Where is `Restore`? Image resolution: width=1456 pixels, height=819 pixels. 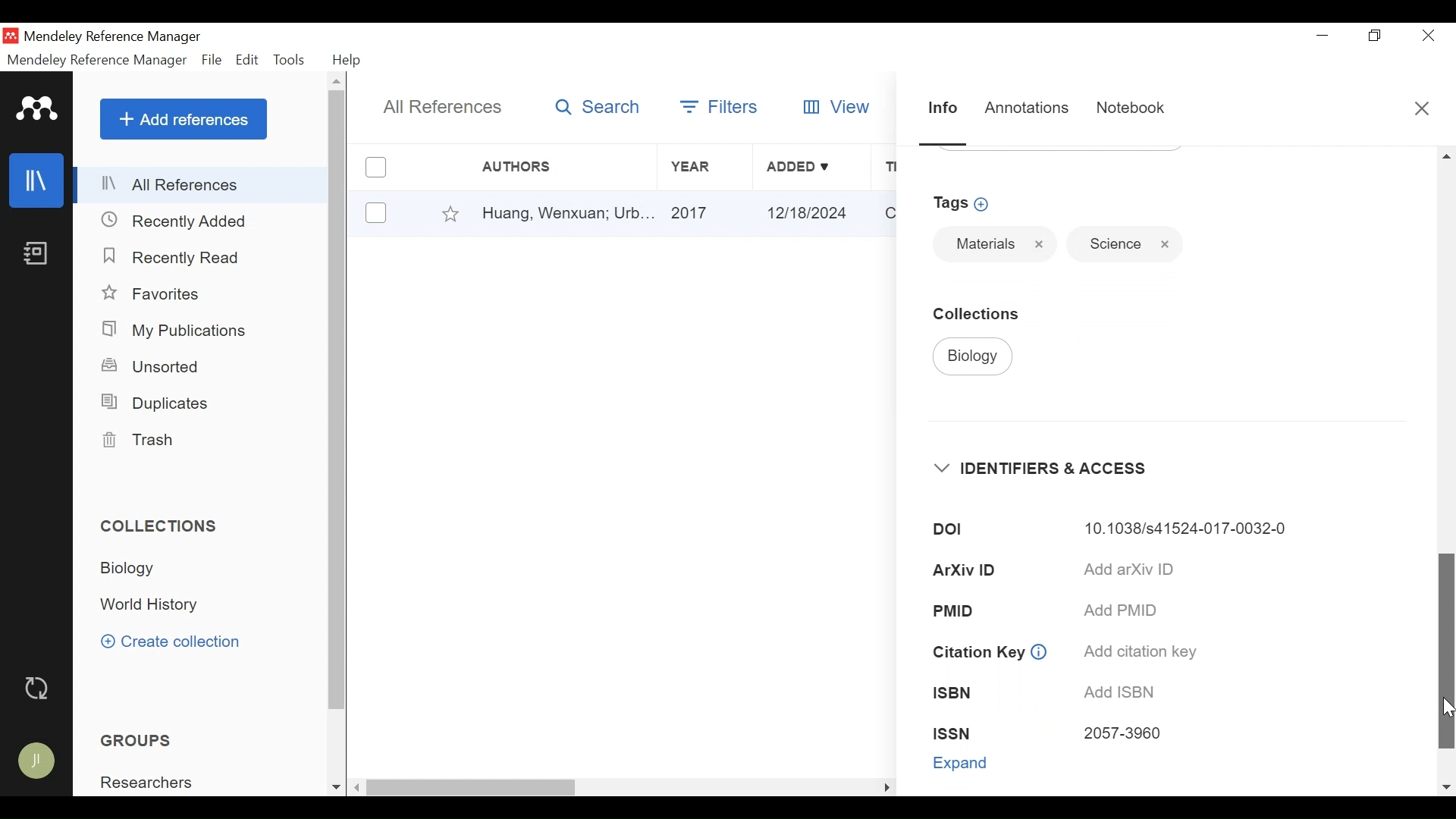 Restore is located at coordinates (1373, 35).